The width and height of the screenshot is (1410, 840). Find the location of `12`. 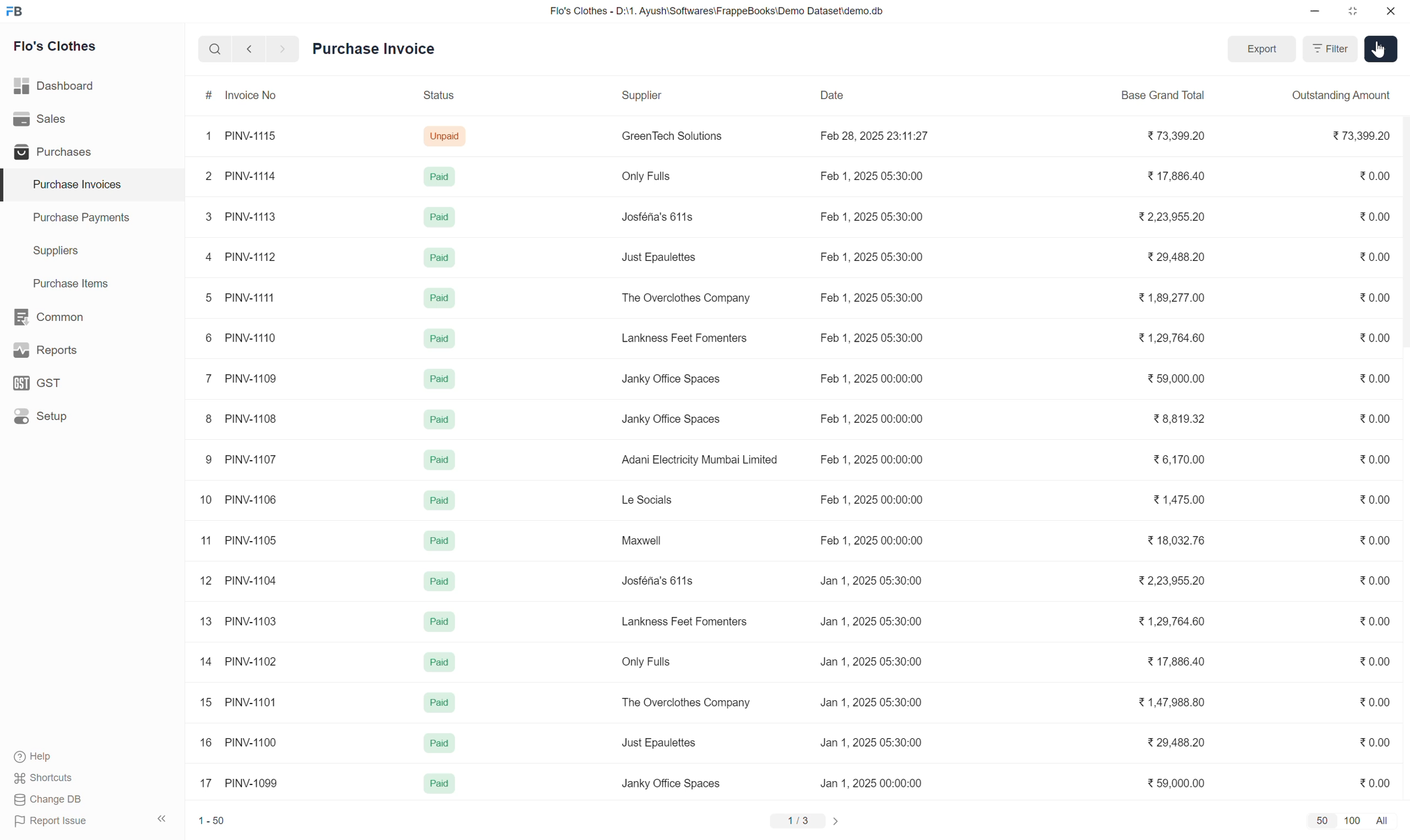

12 is located at coordinates (206, 581).